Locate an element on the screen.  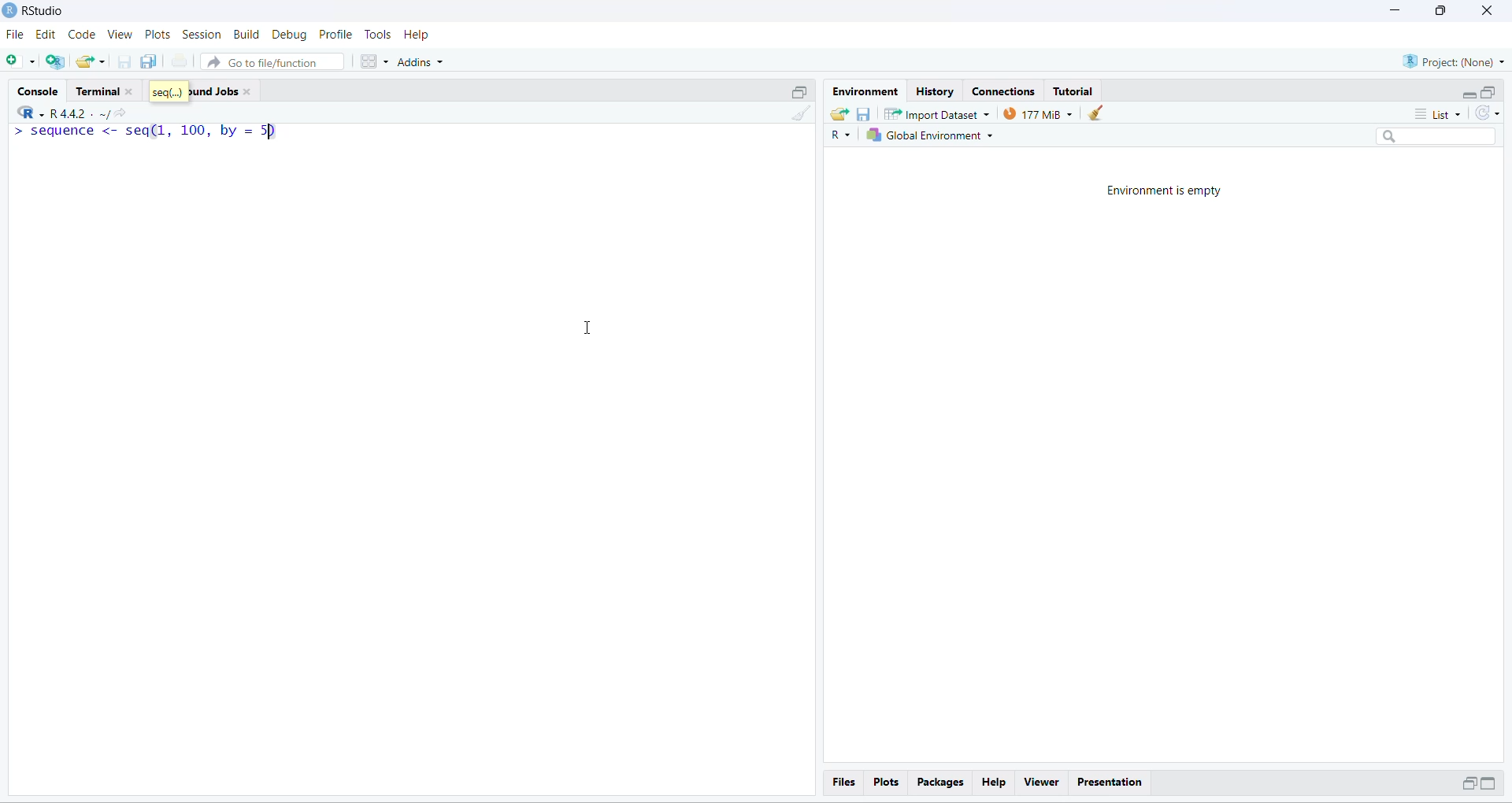
help is located at coordinates (995, 783).